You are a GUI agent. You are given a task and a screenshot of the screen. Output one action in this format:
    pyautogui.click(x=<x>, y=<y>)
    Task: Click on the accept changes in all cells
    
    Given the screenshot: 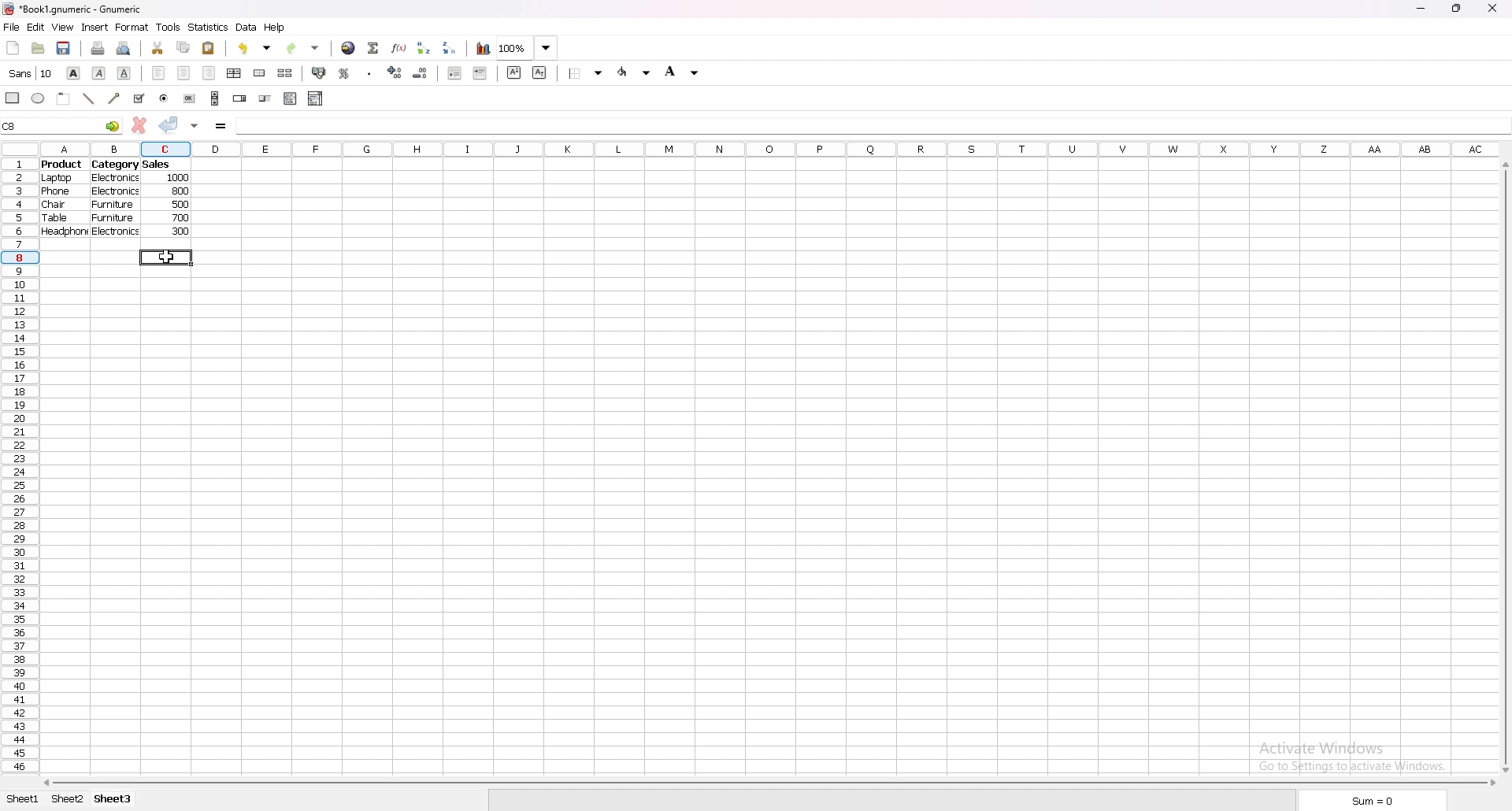 What is the action you would take?
    pyautogui.click(x=195, y=124)
    